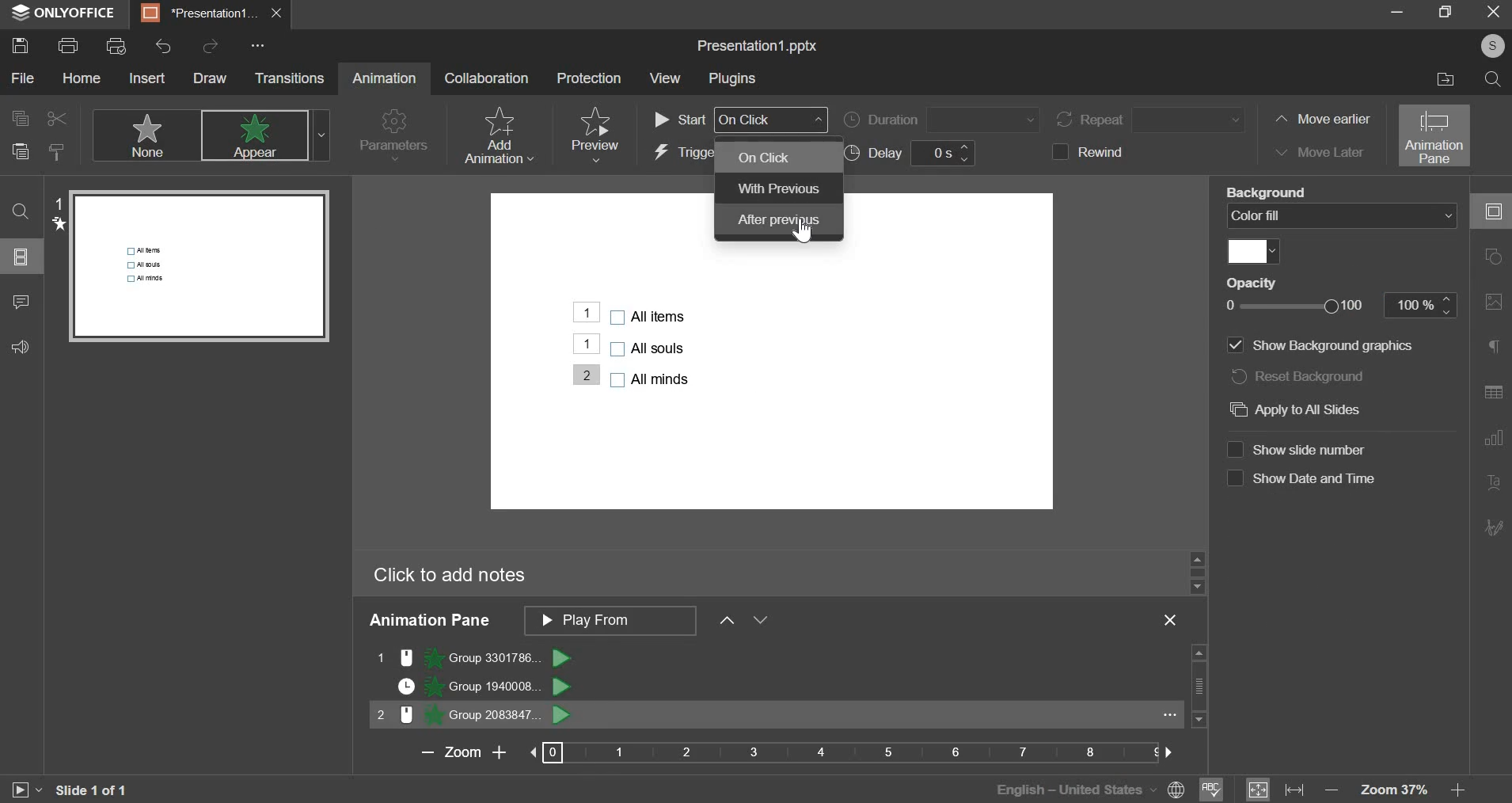 The image size is (1512, 803). What do you see at coordinates (1196, 571) in the screenshot?
I see `slider` at bounding box center [1196, 571].